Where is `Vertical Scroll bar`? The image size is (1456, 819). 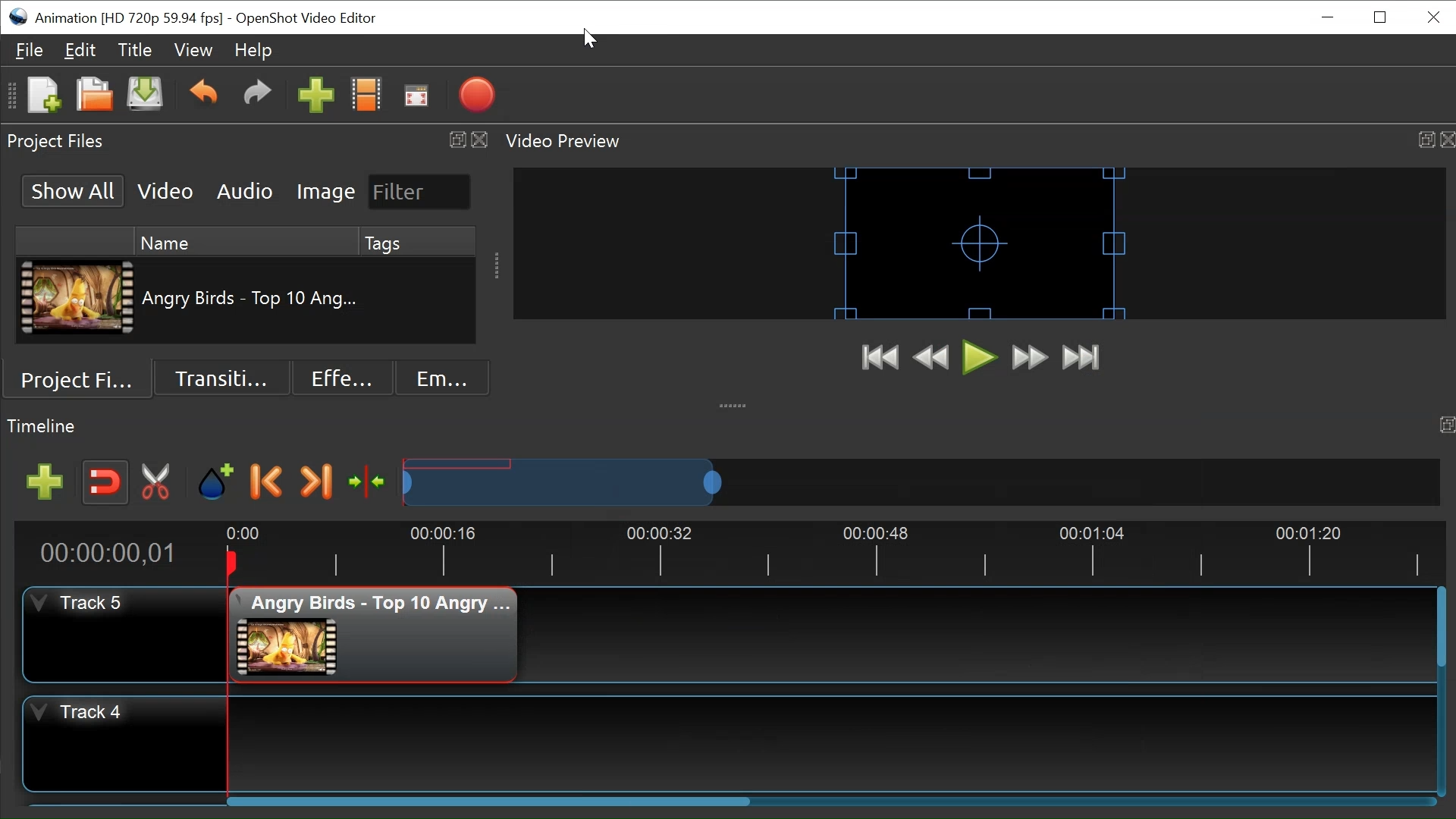
Vertical Scroll bar is located at coordinates (1443, 627).